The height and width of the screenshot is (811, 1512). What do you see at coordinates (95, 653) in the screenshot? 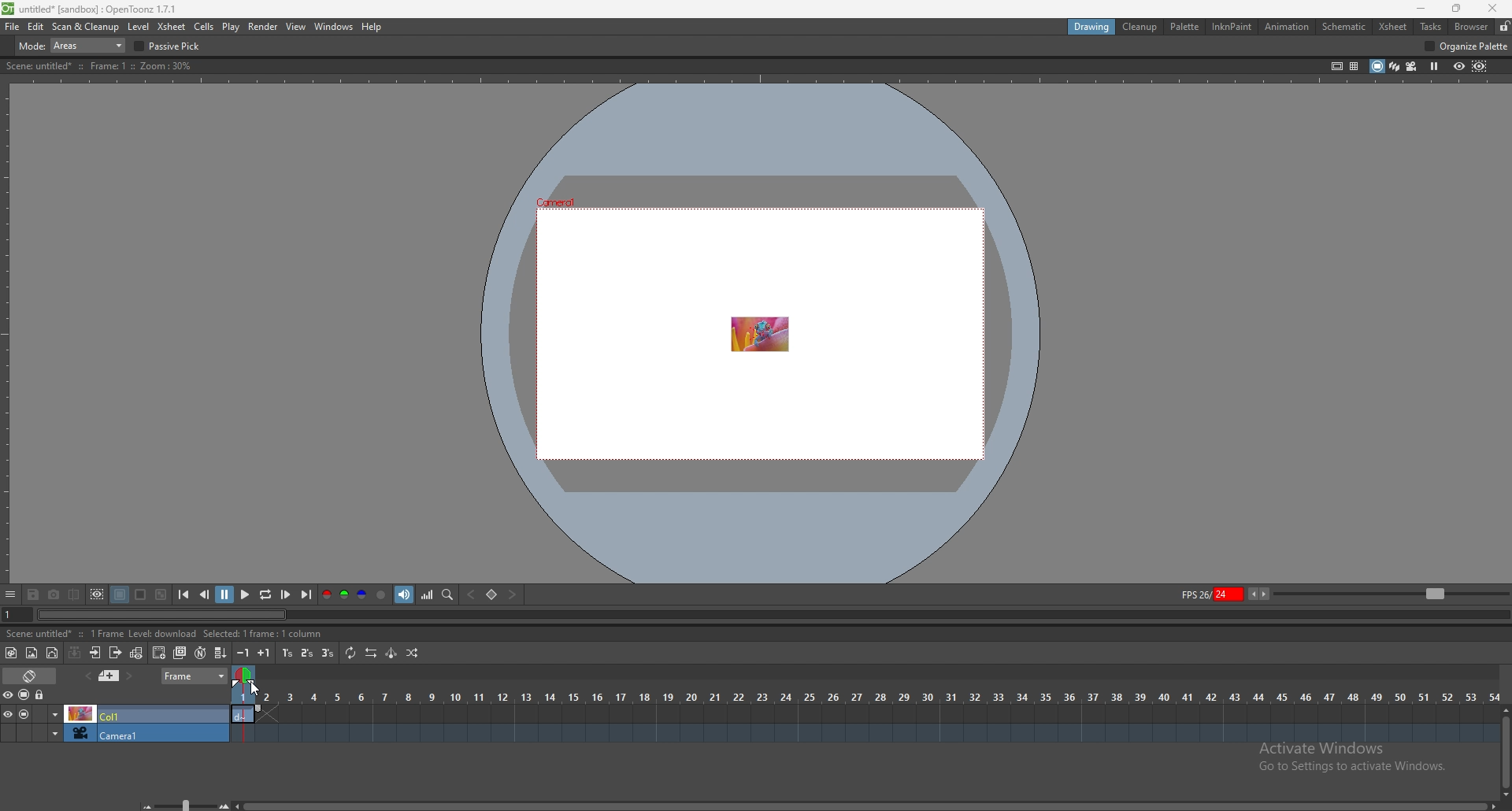
I see `open subsheet` at bounding box center [95, 653].